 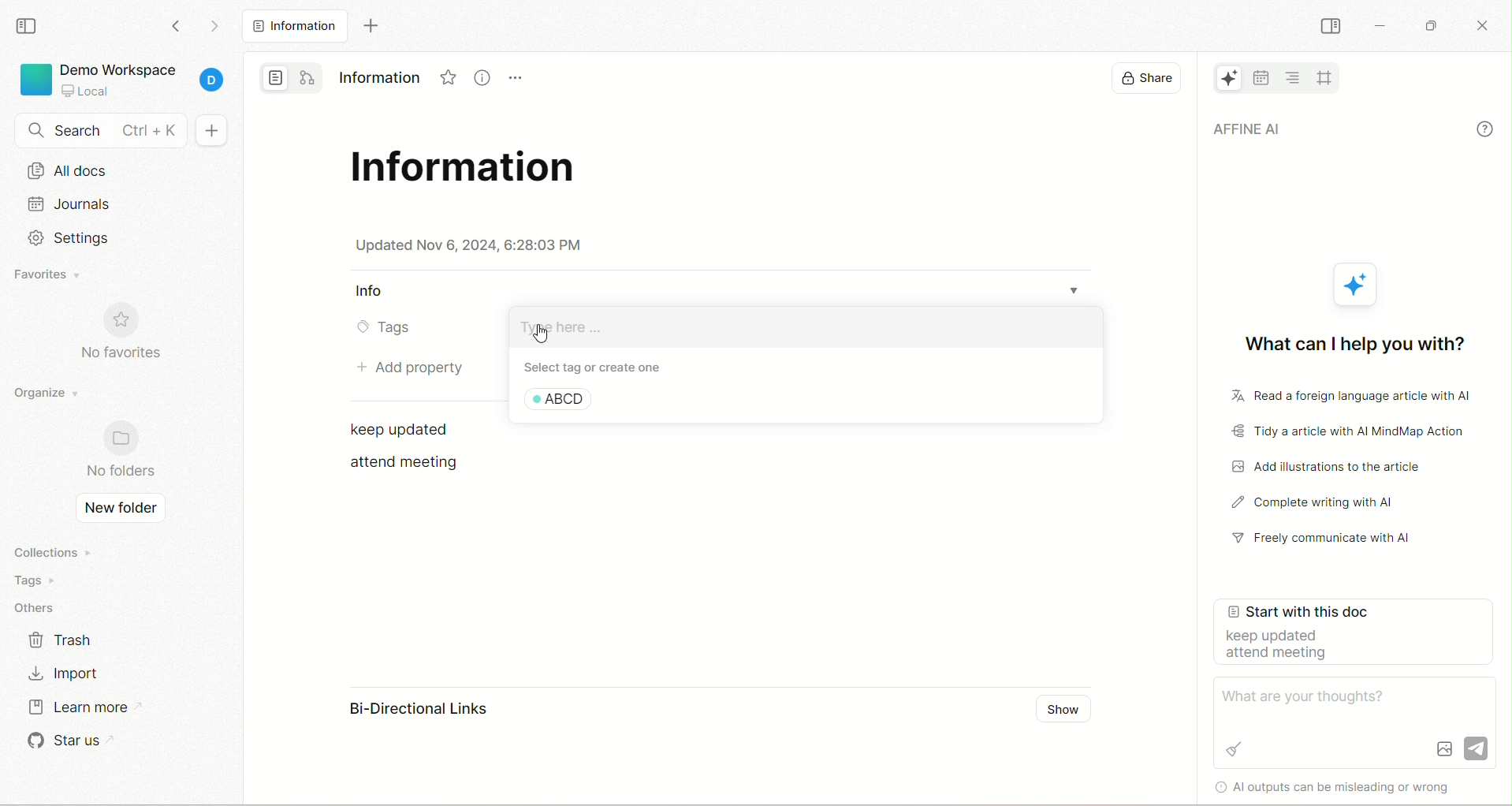 I want to click on Brush, so click(x=1234, y=748).